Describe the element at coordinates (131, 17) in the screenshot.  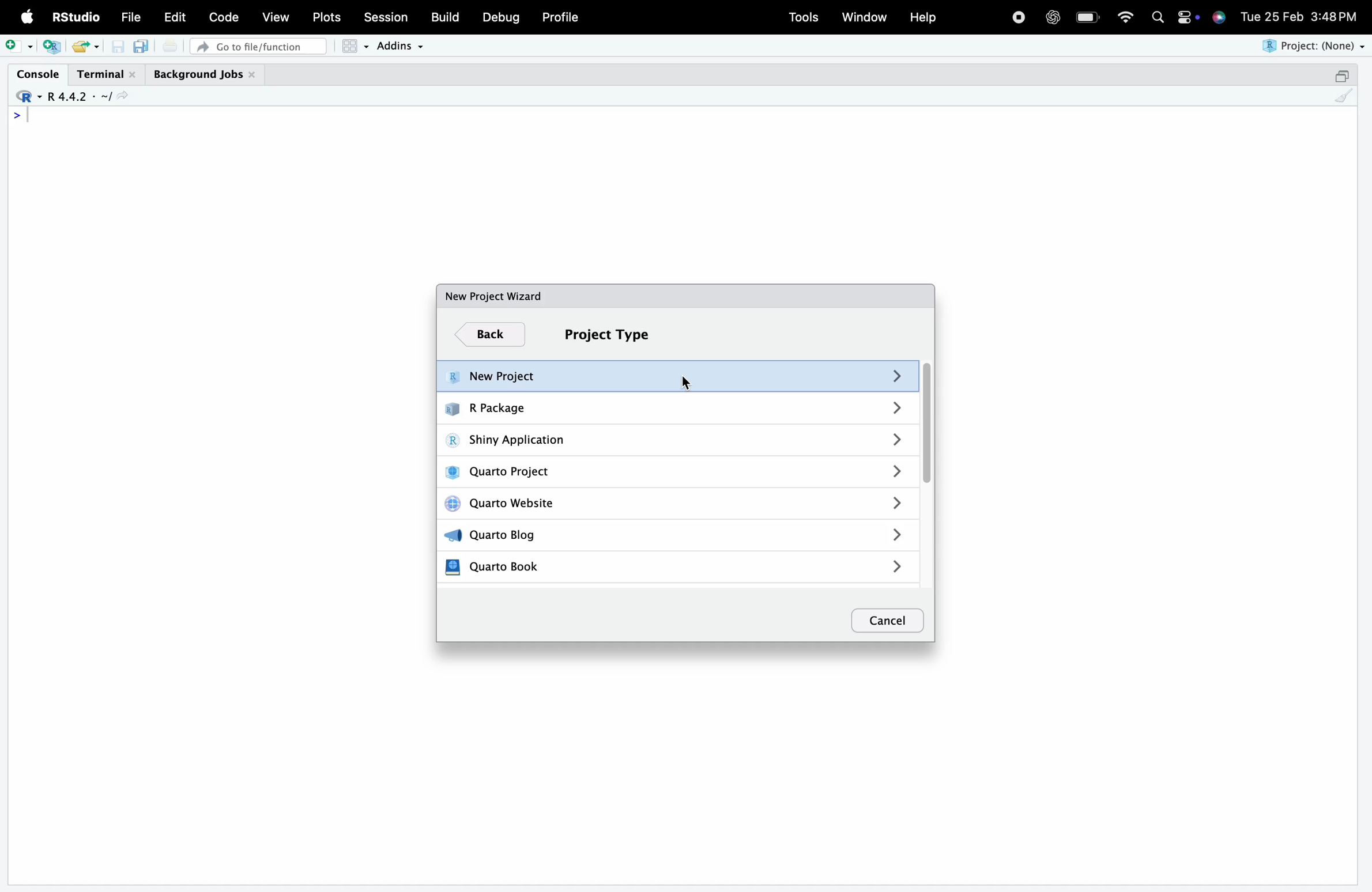
I see `File` at that location.